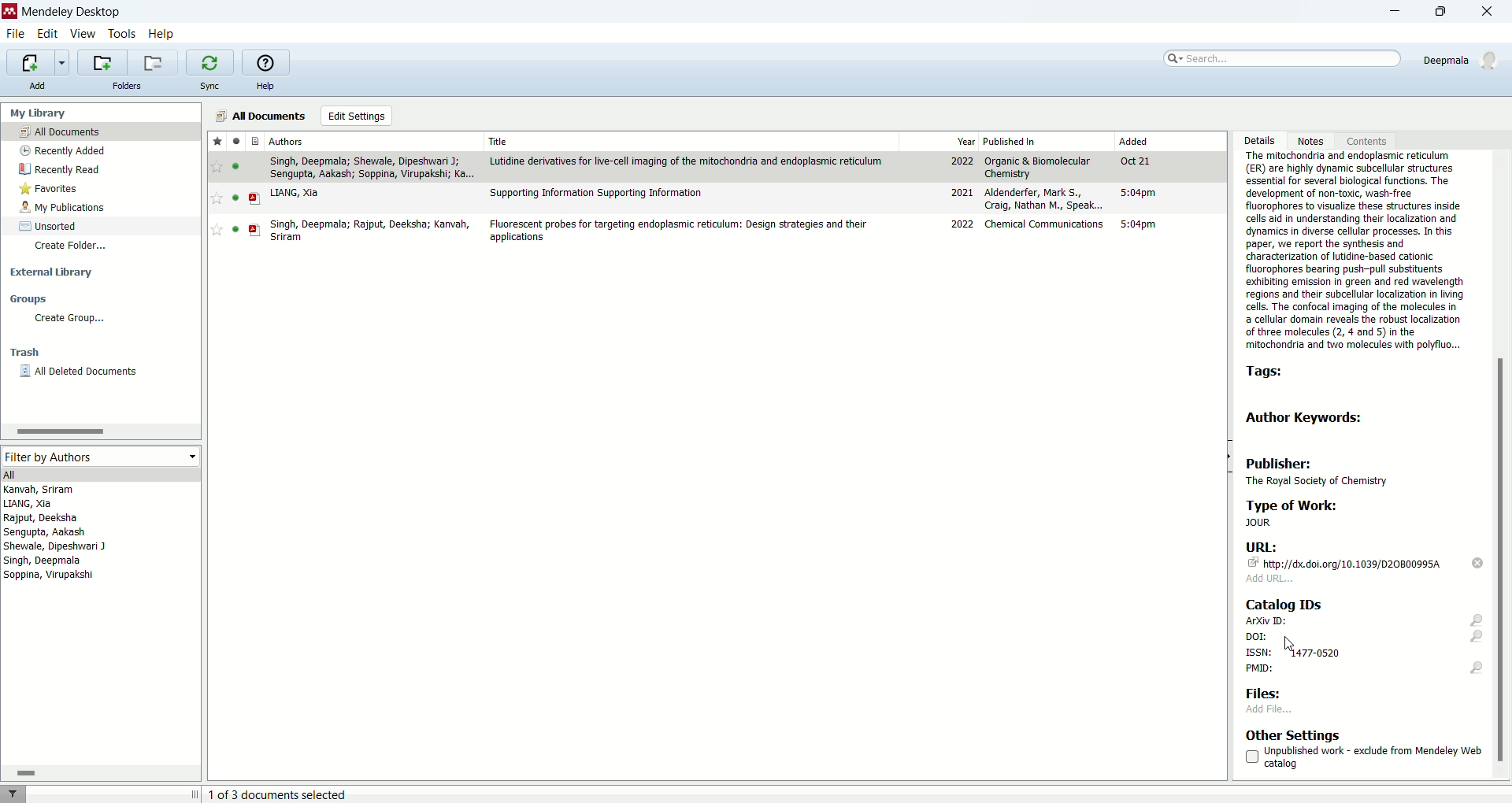  I want to click on help, so click(161, 35).